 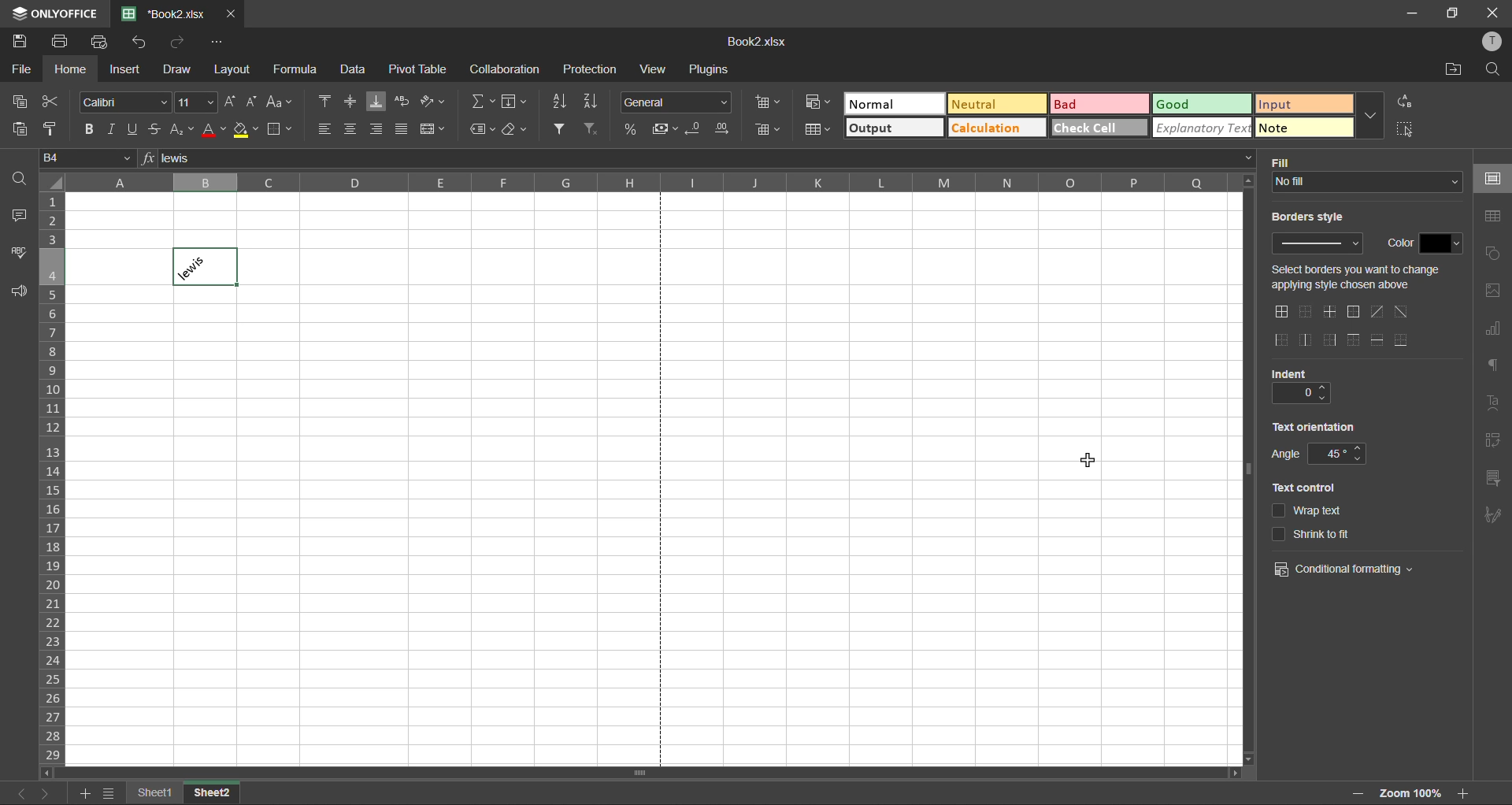 I want to click on close, so click(x=1490, y=12).